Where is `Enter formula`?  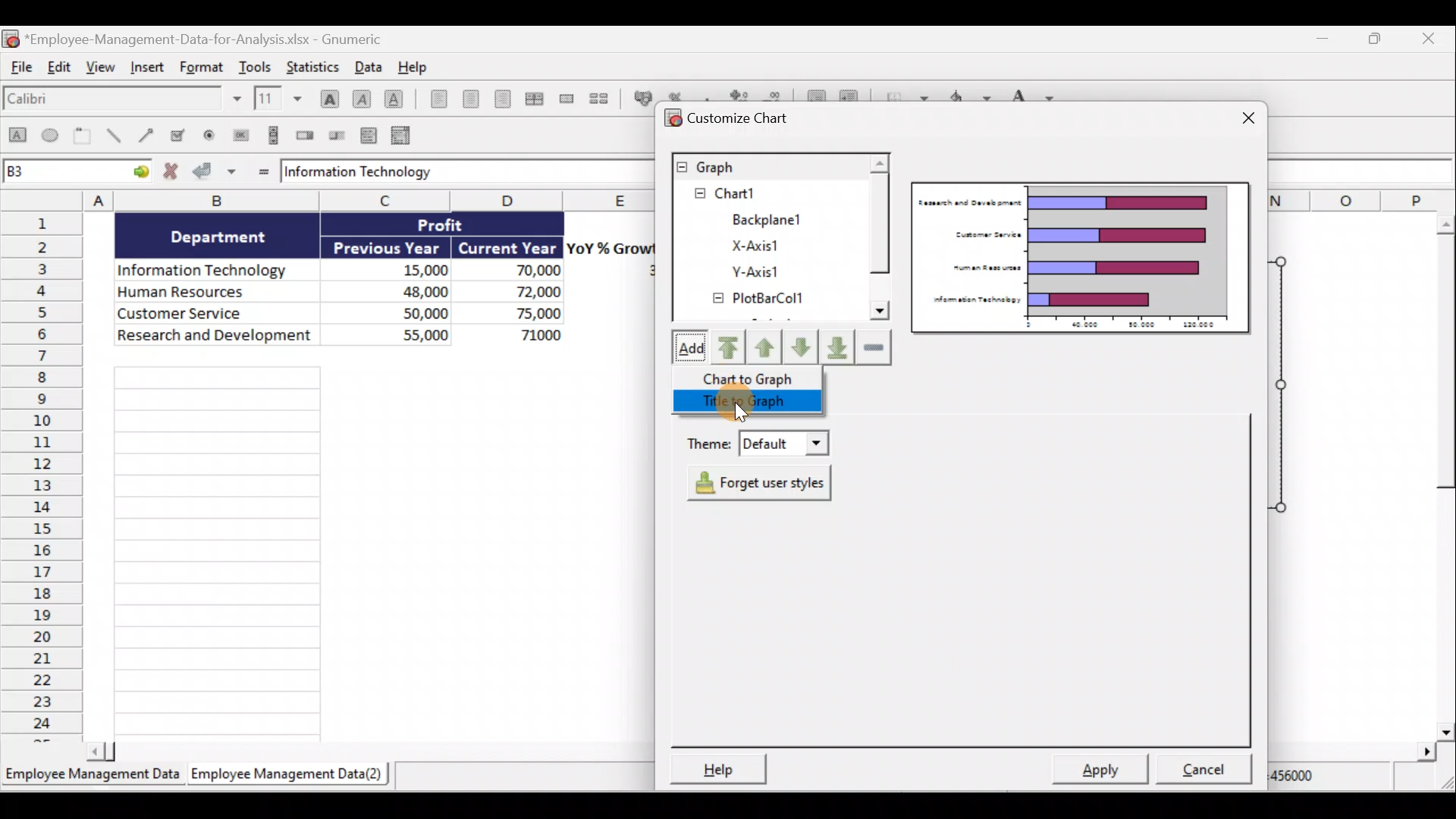
Enter formula is located at coordinates (261, 171).